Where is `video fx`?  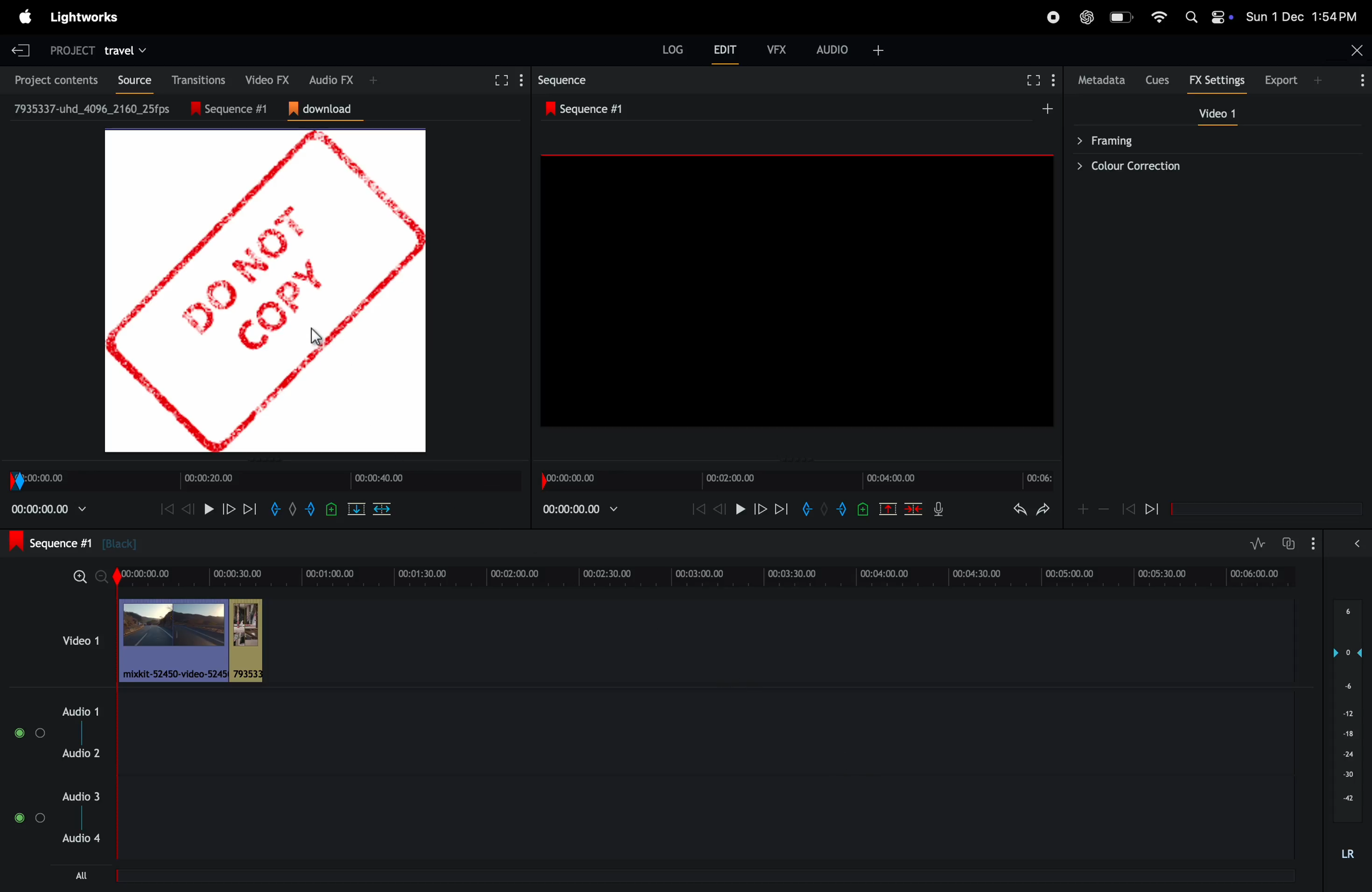 video fx is located at coordinates (263, 78).